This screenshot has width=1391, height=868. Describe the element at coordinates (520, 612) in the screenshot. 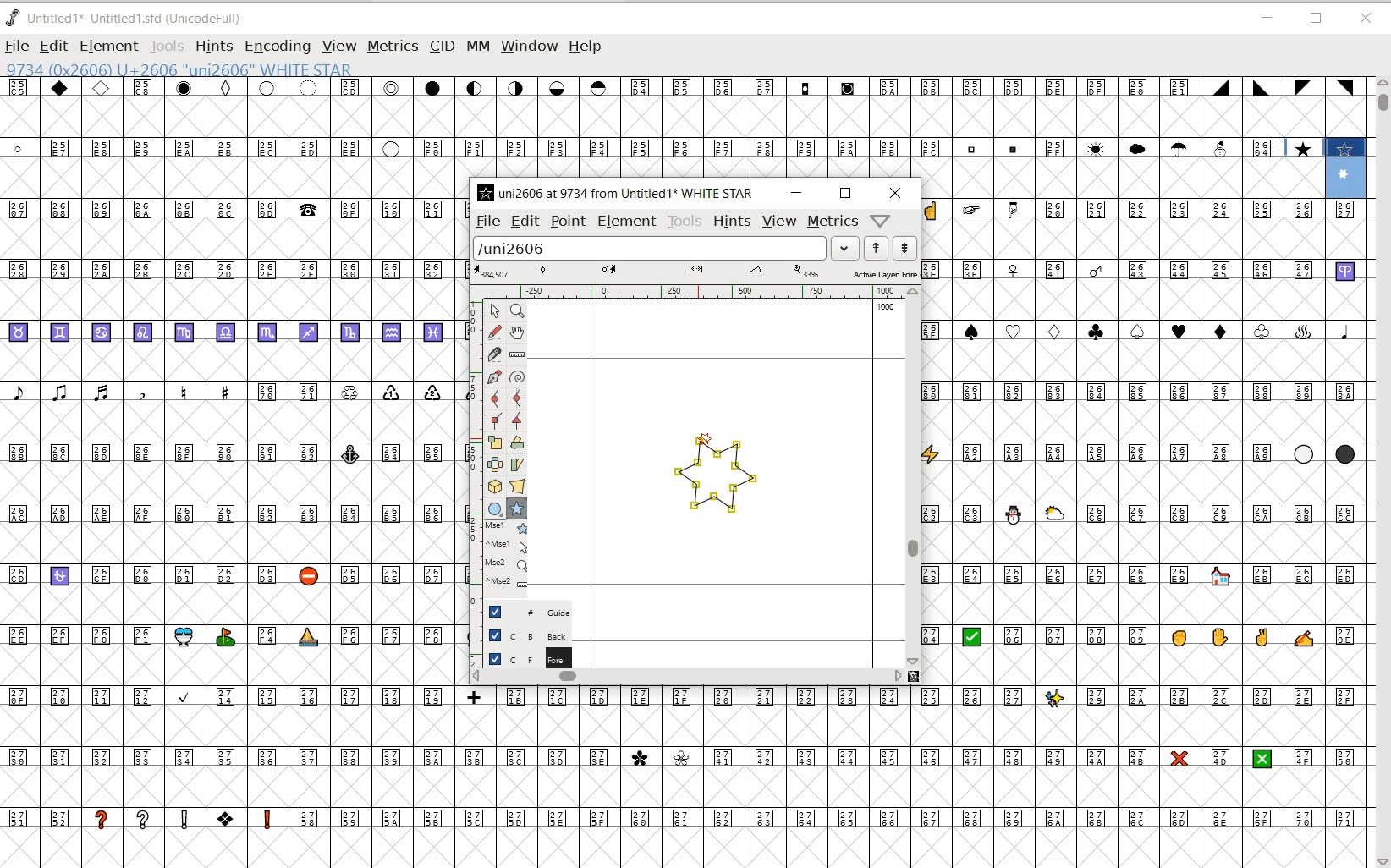

I see `GUIDE` at that location.